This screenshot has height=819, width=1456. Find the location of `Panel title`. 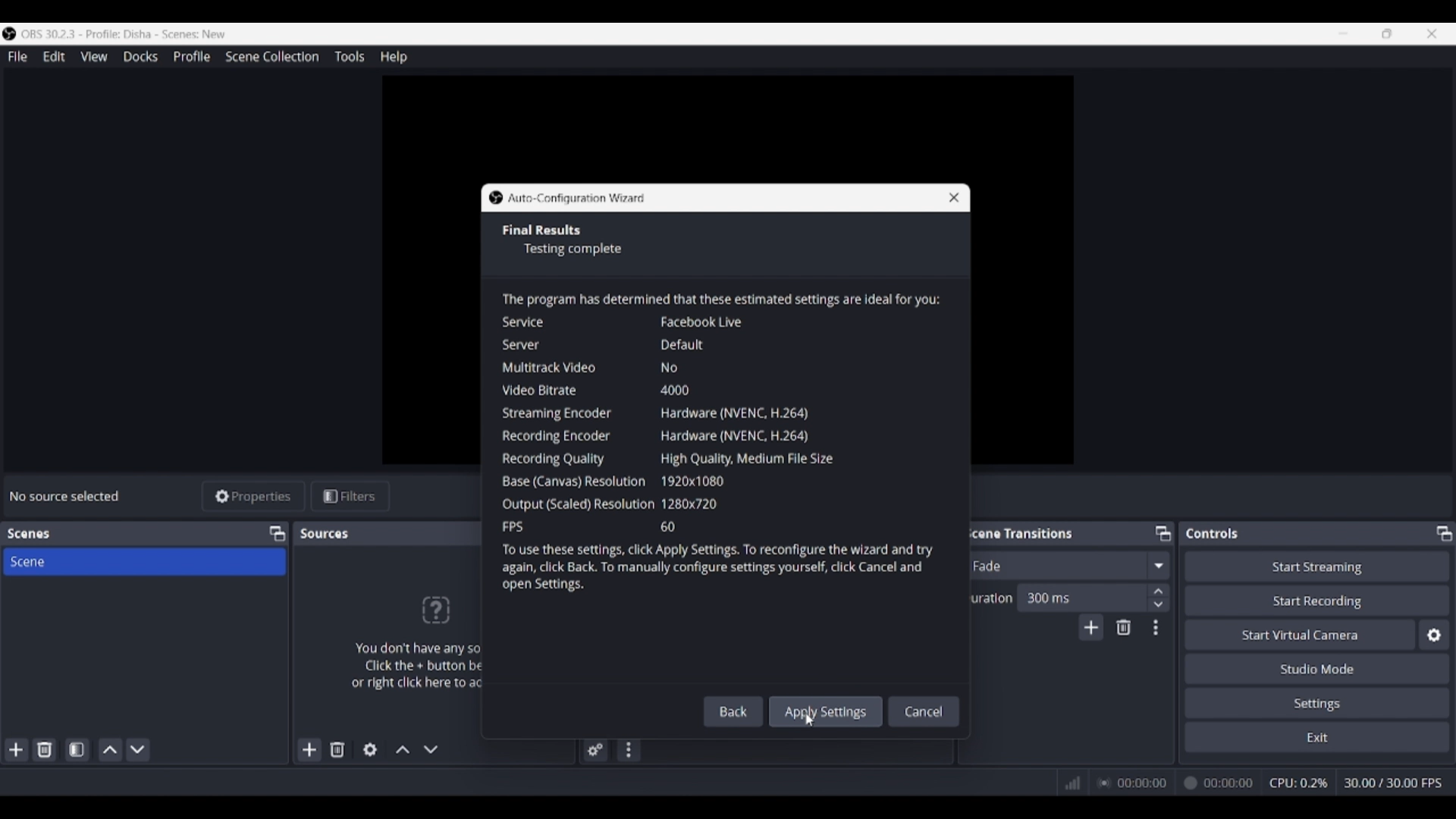

Panel title is located at coordinates (29, 534).